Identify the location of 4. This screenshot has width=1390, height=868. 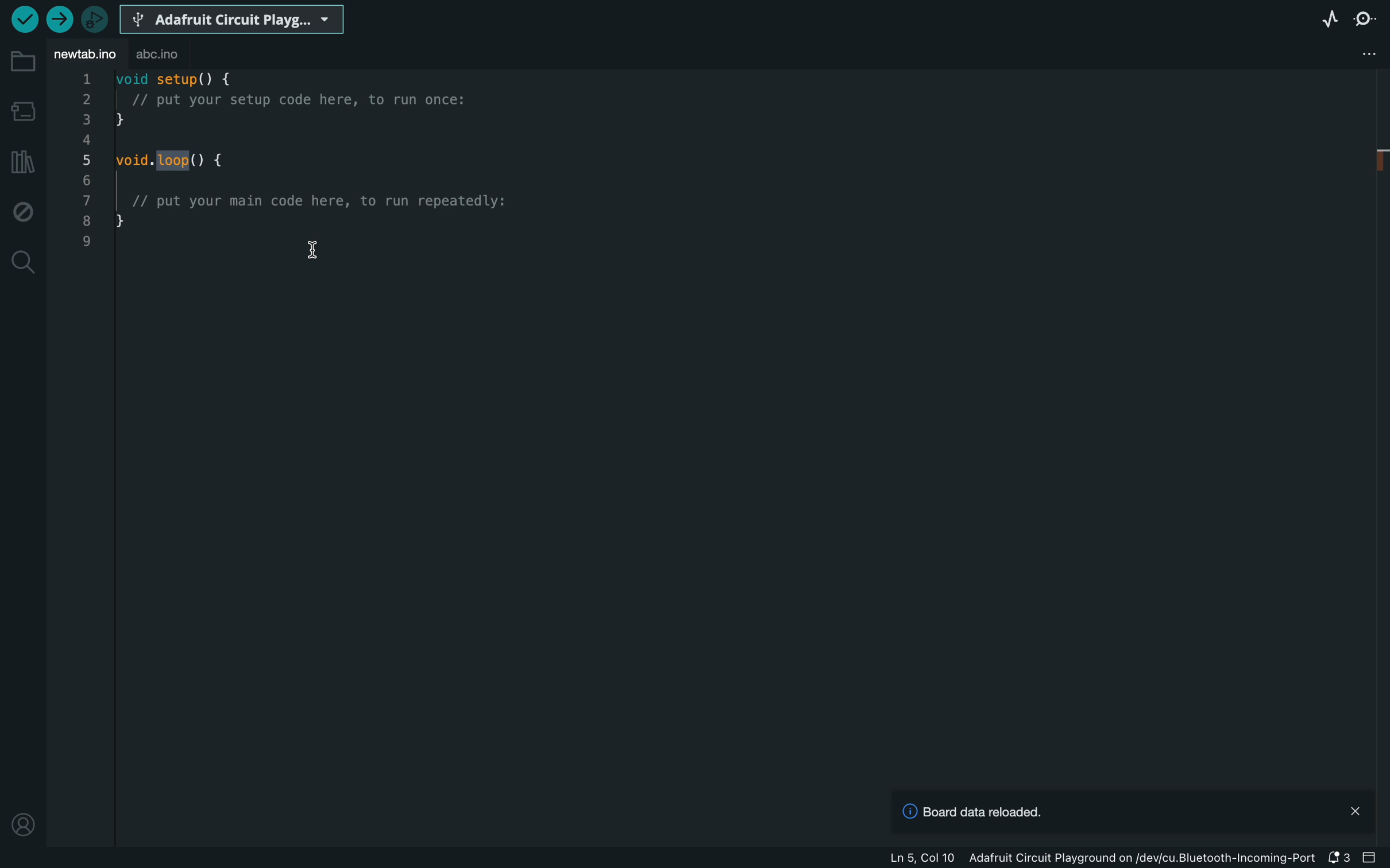
(86, 139).